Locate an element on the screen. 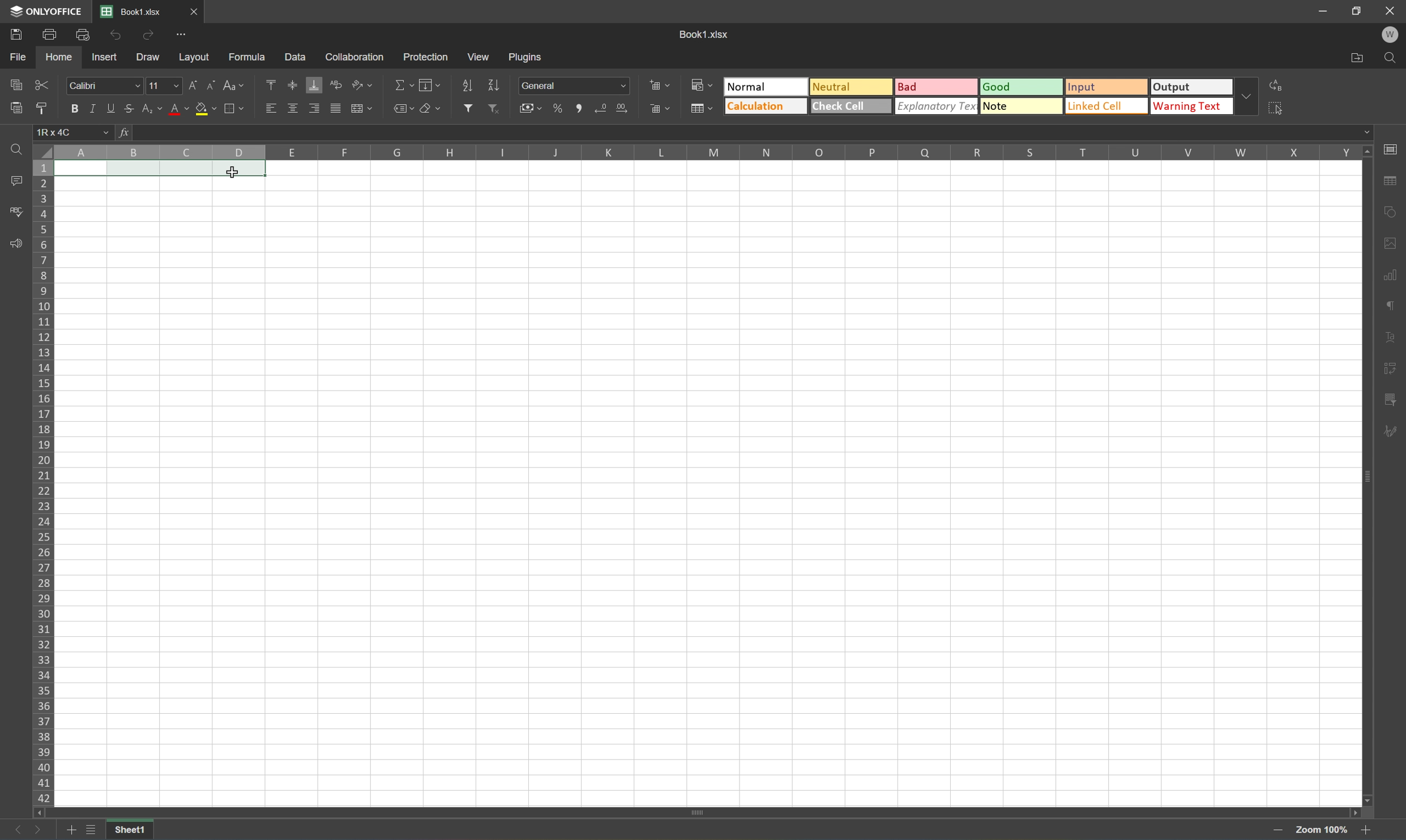 This screenshot has width=1406, height=840. Named ranges is located at coordinates (402, 108).